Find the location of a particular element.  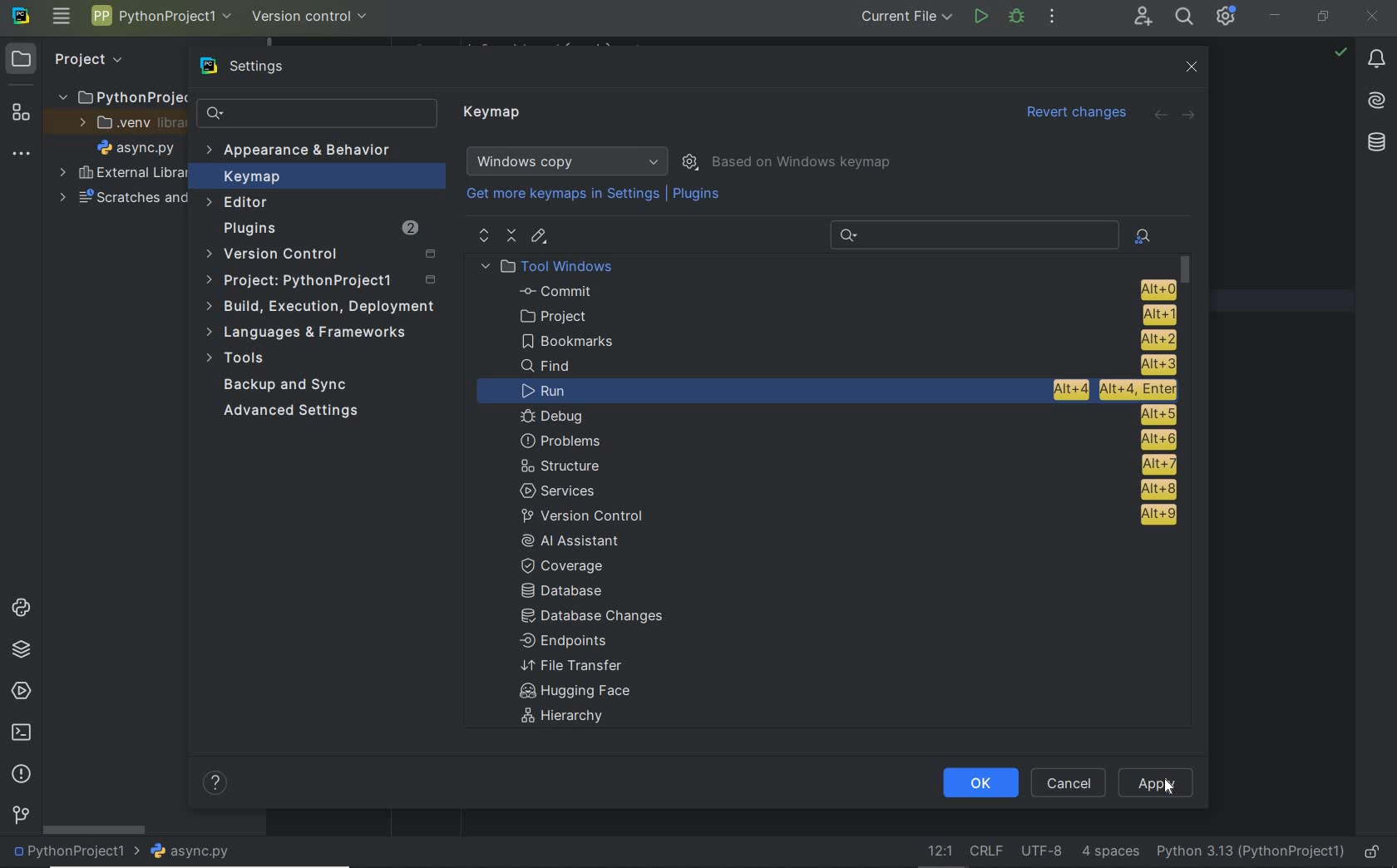

problems is located at coordinates (21, 775).